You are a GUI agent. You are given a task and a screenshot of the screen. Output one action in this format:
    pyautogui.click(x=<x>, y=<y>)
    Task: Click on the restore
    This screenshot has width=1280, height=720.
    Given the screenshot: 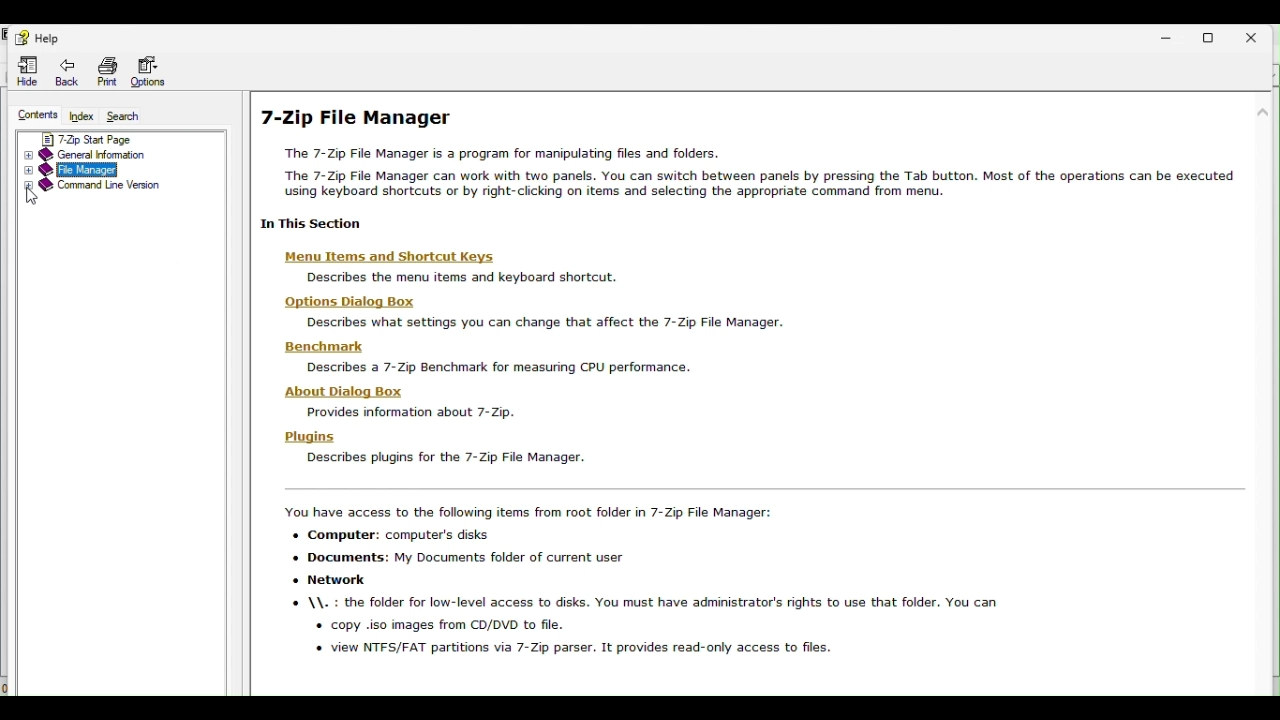 What is the action you would take?
    pyautogui.click(x=1215, y=35)
    